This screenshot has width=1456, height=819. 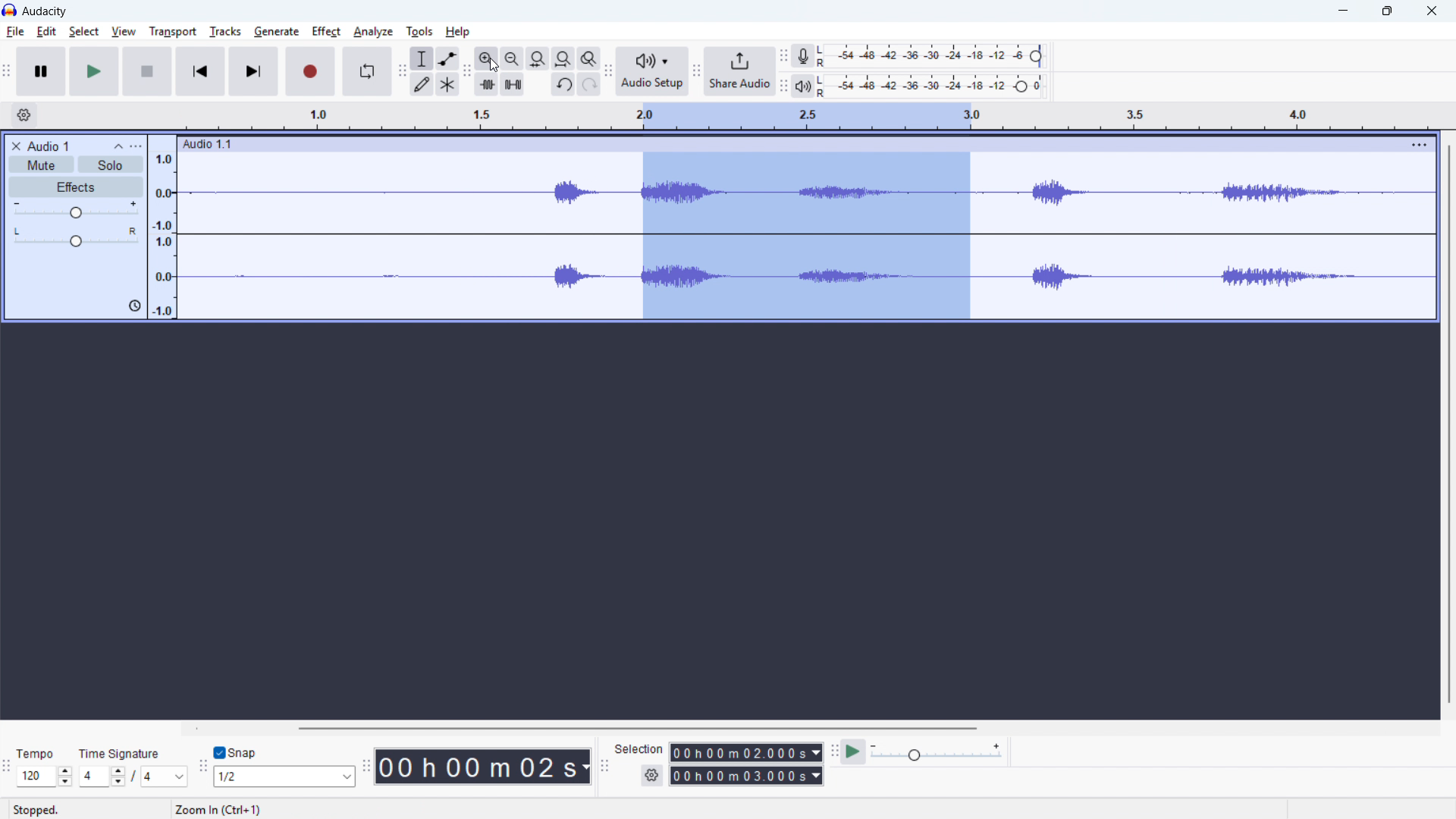 What do you see at coordinates (45, 32) in the screenshot?
I see `Edit` at bounding box center [45, 32].